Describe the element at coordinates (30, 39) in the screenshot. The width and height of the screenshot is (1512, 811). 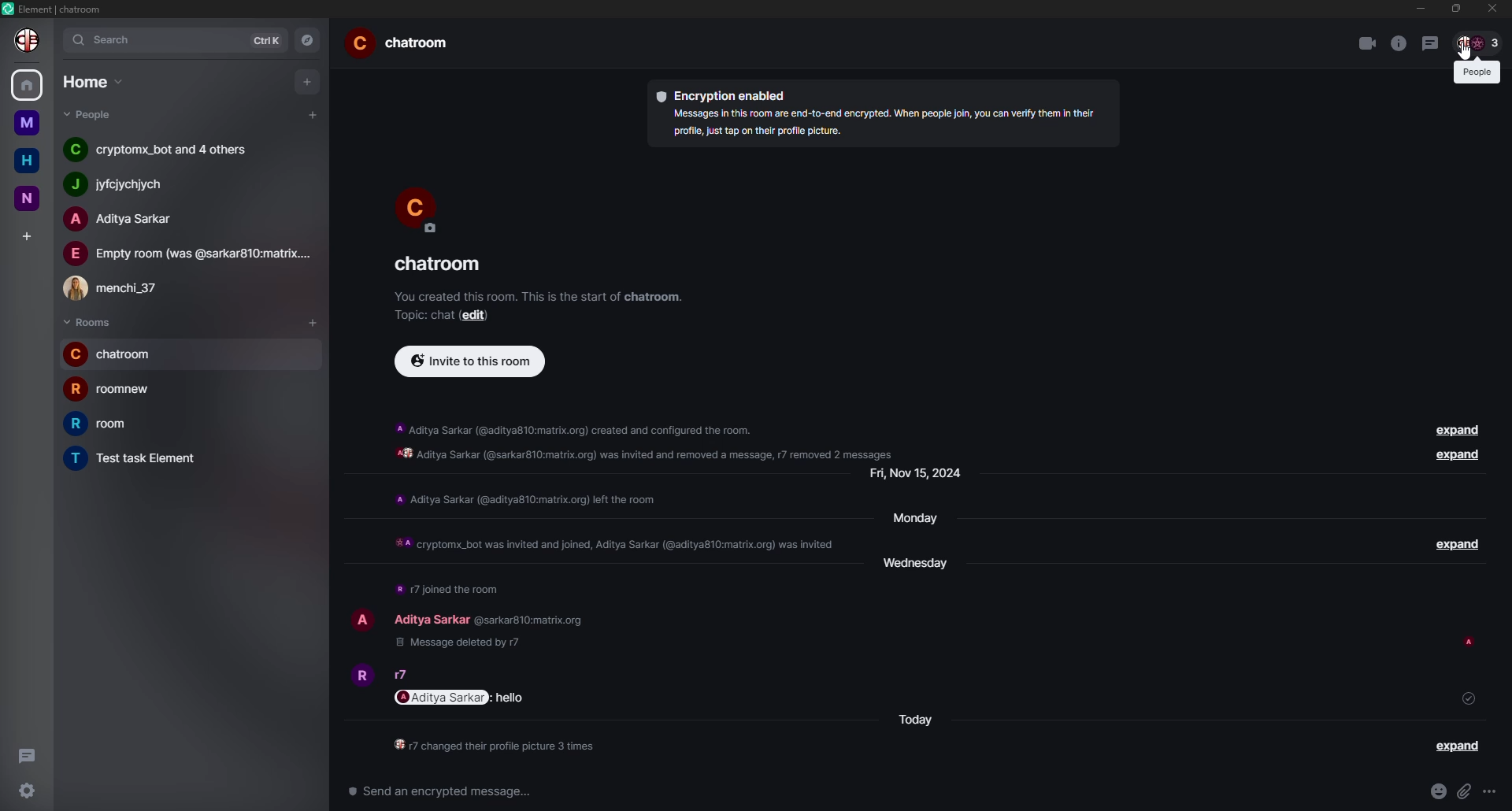
I see `profile` at that location.